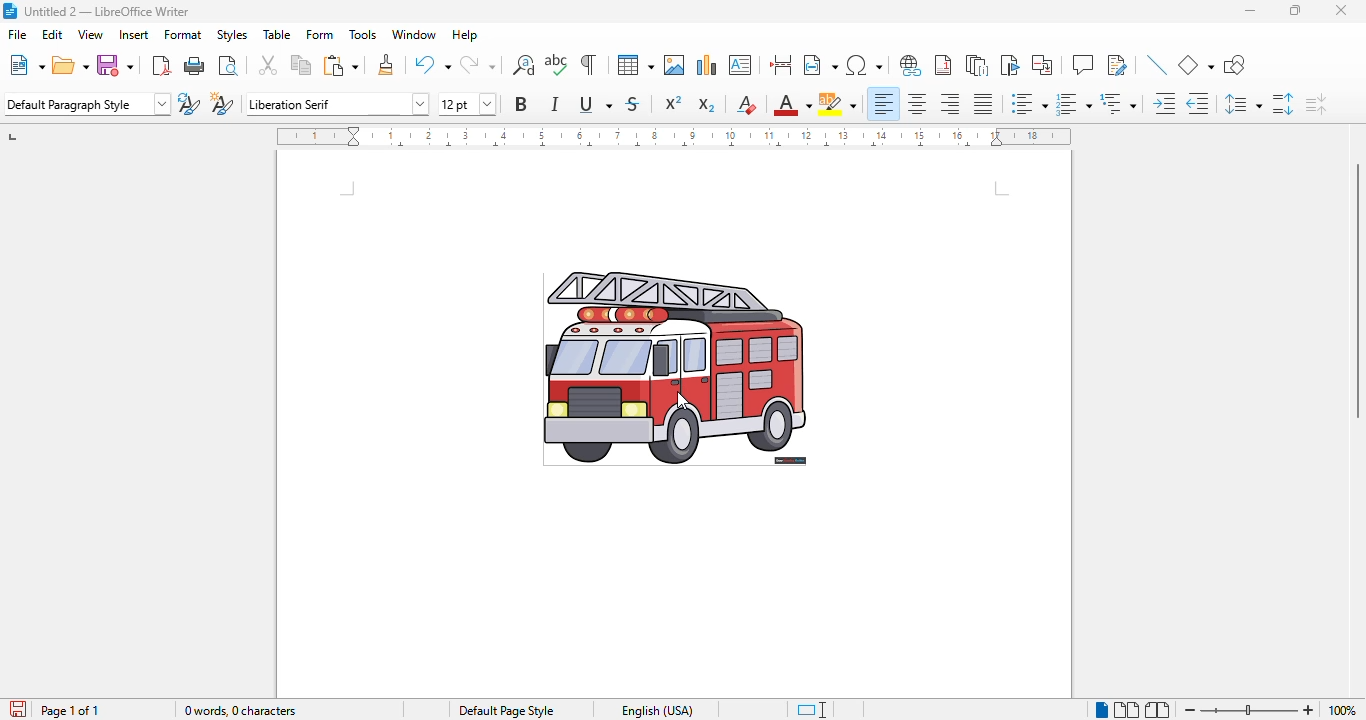 This screenshot has width=1366, height=720. What do you see at coordinates (1101, 710) in the screenshot?
I see `single-page view` at bounding box center [1101, 710].